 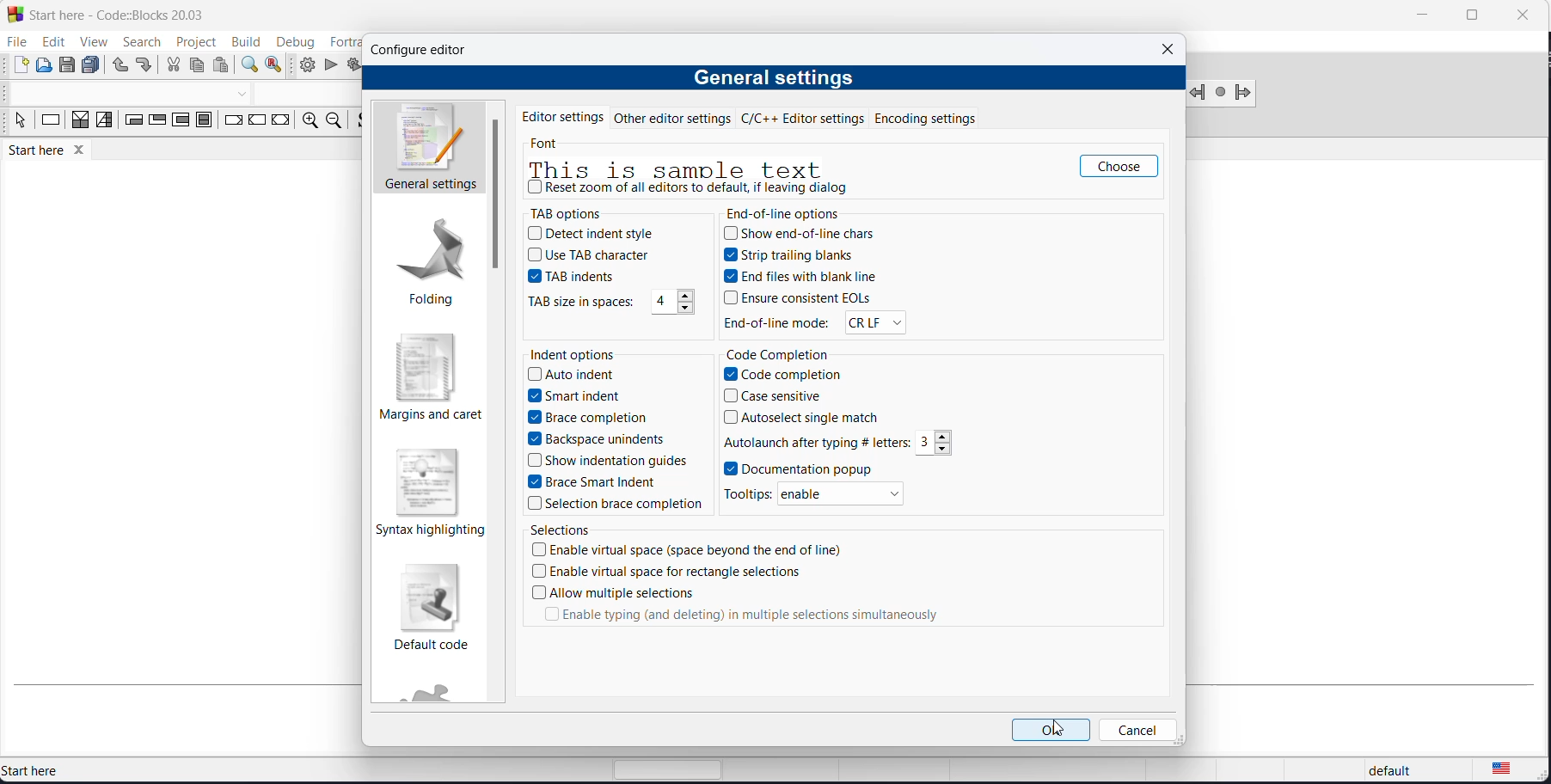 What do you see at coordinates (244, 41) in the screenshot?
I see `build` at bounding box center [244, 41].